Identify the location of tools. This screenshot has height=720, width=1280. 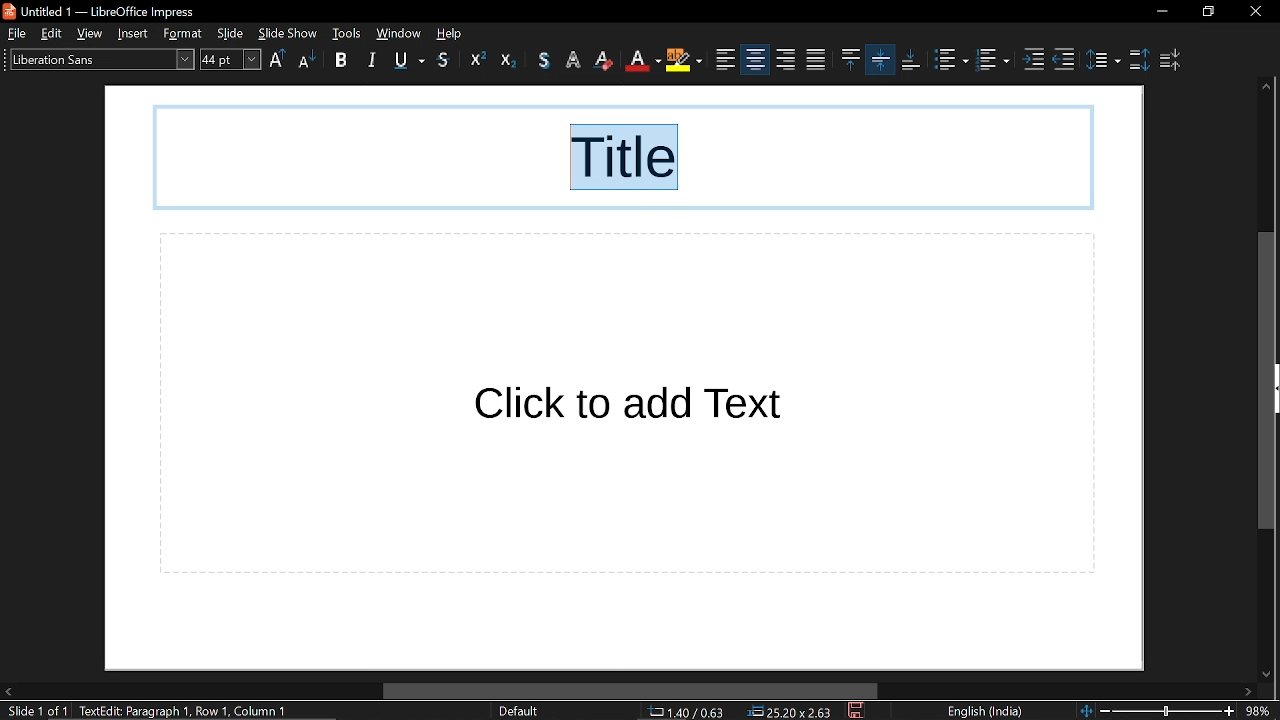
(347, 33).